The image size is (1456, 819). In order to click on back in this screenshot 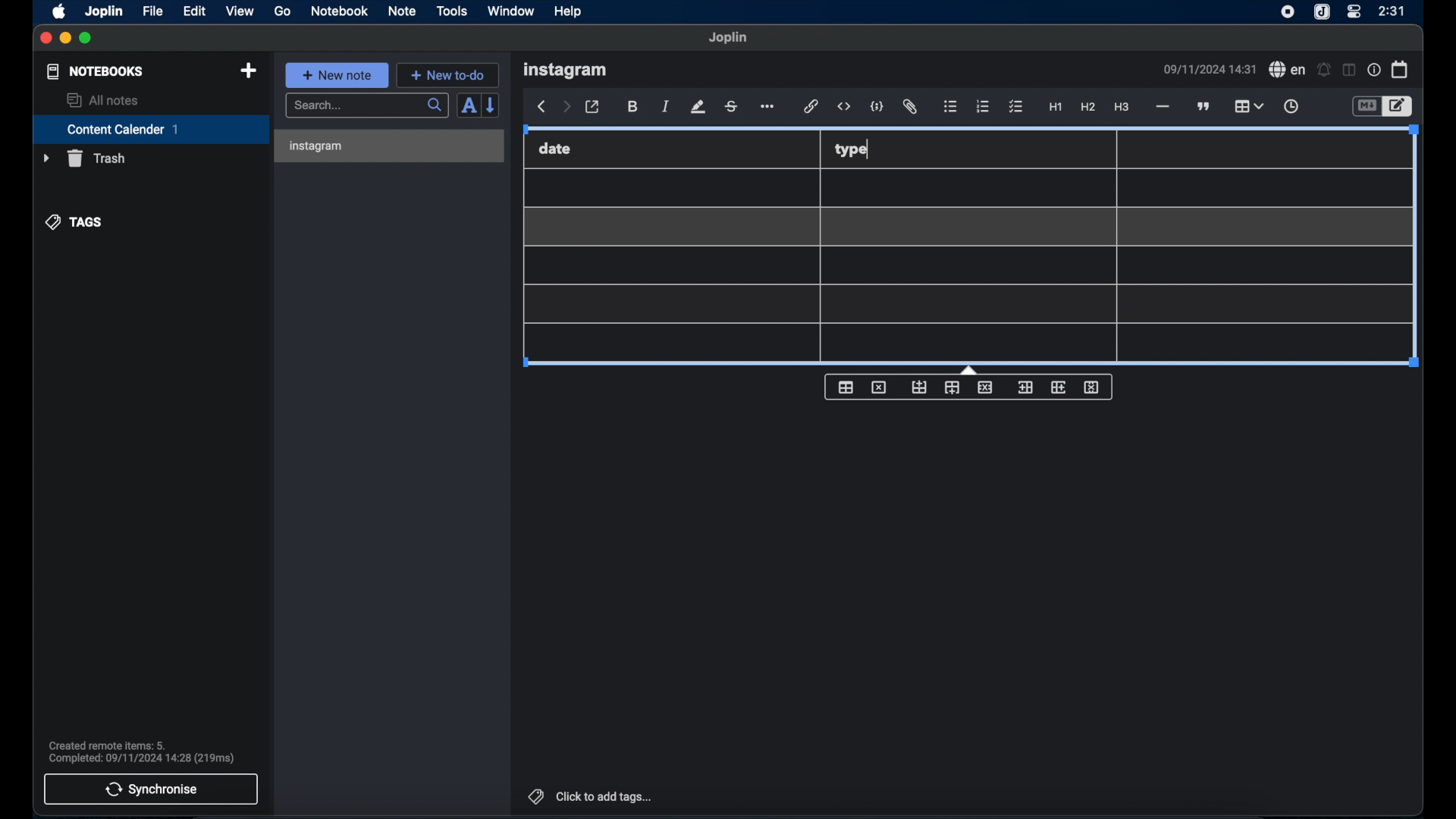, I will do `click(539, 107)`.